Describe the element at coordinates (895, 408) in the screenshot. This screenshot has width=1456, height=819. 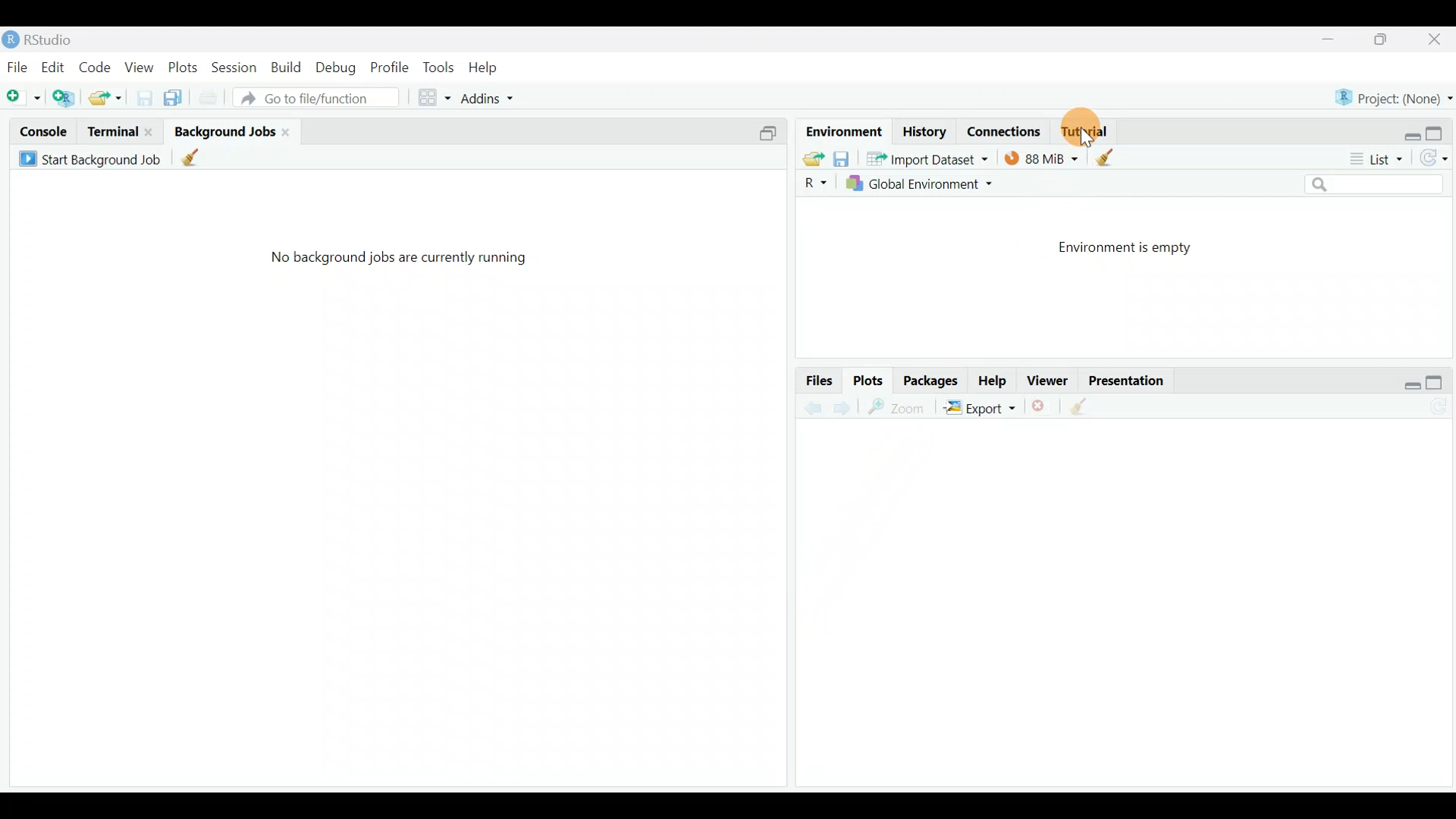
I see `Zoom` at that location.